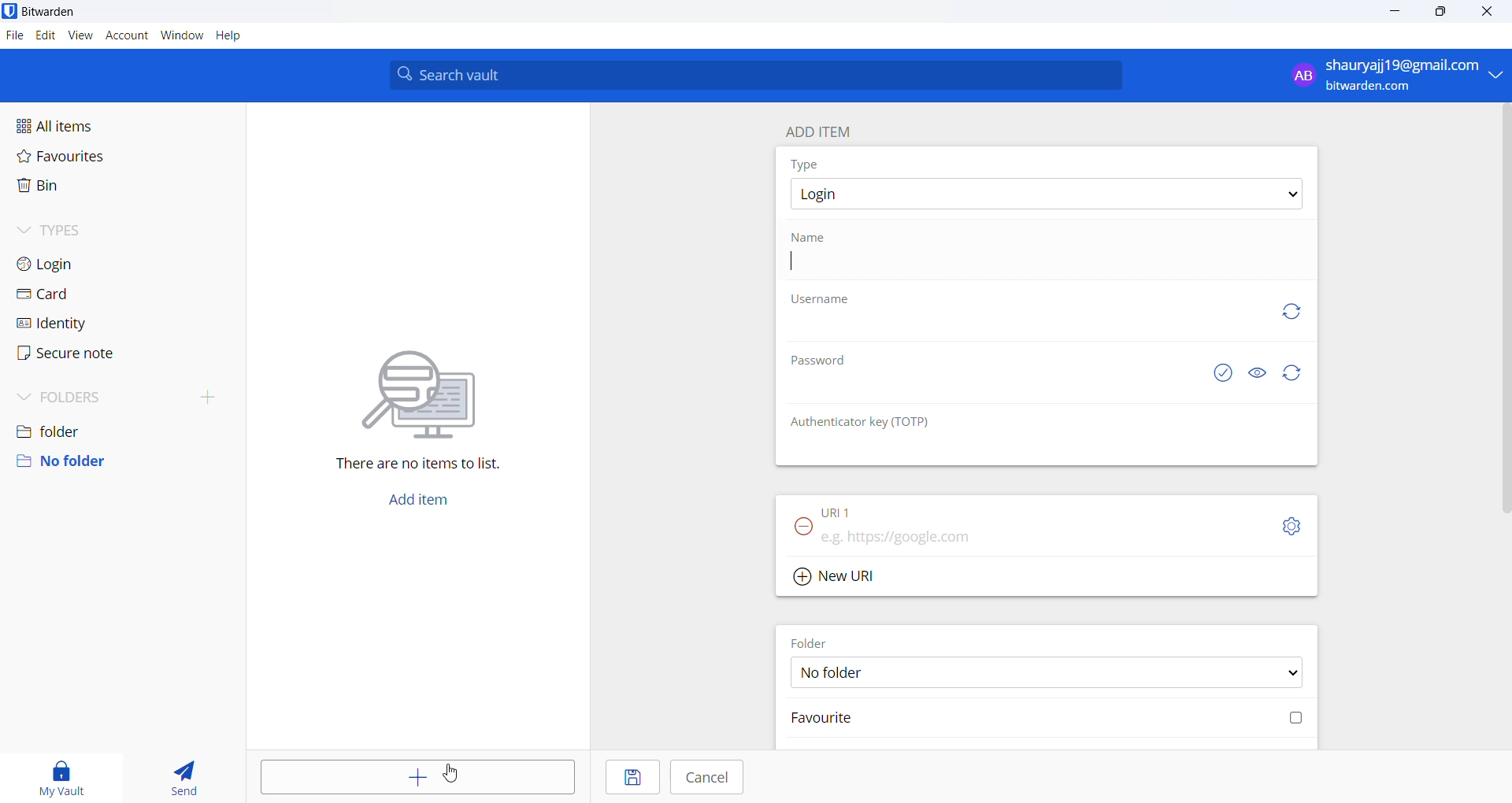 The width and height of the screenshot is (1512, 803). What do you see at coordinates (78, 36) in the screenshot?
I see `view` at bounding box center [78, 36].